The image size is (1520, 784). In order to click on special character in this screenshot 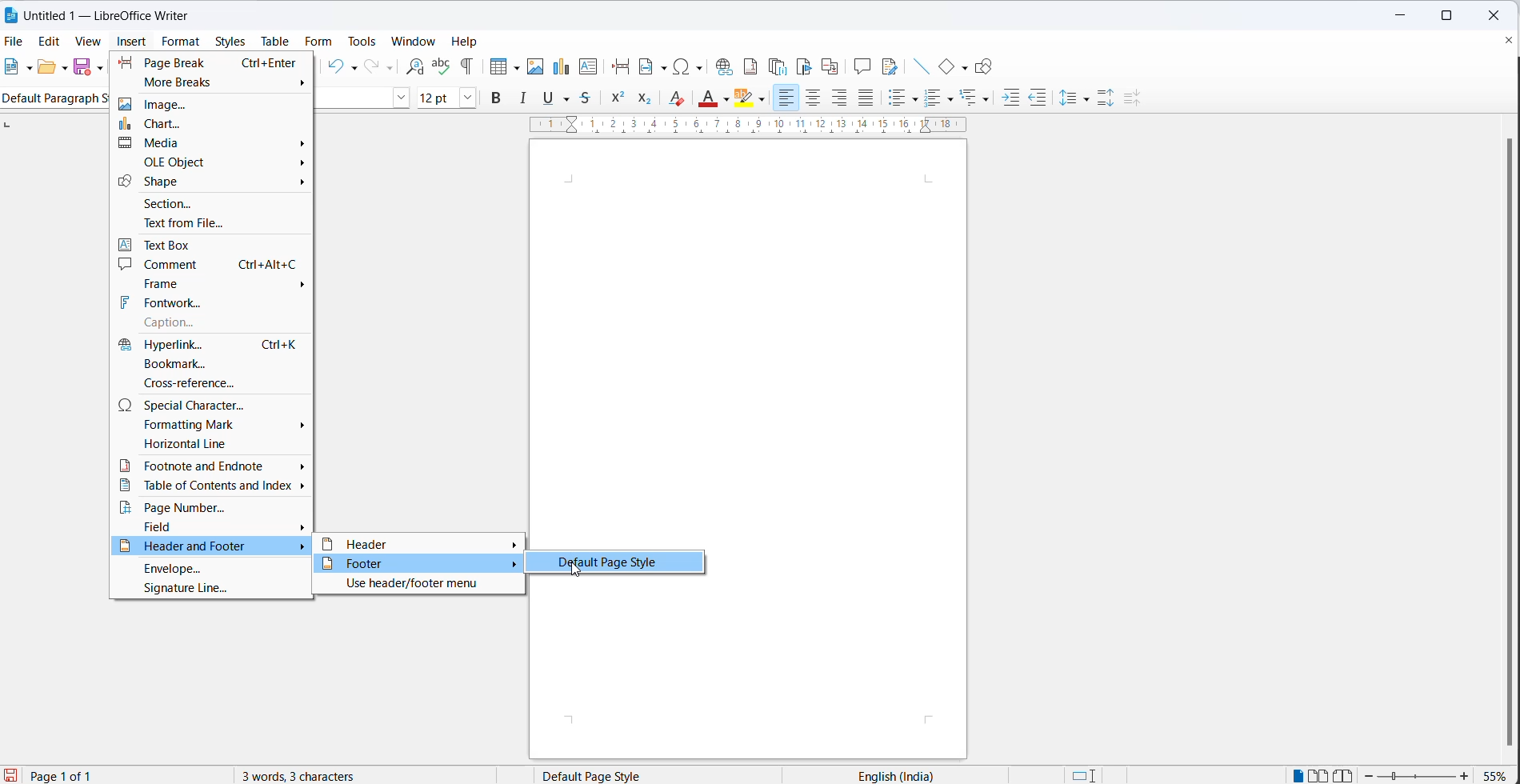, I will do `click(211, 403)`.